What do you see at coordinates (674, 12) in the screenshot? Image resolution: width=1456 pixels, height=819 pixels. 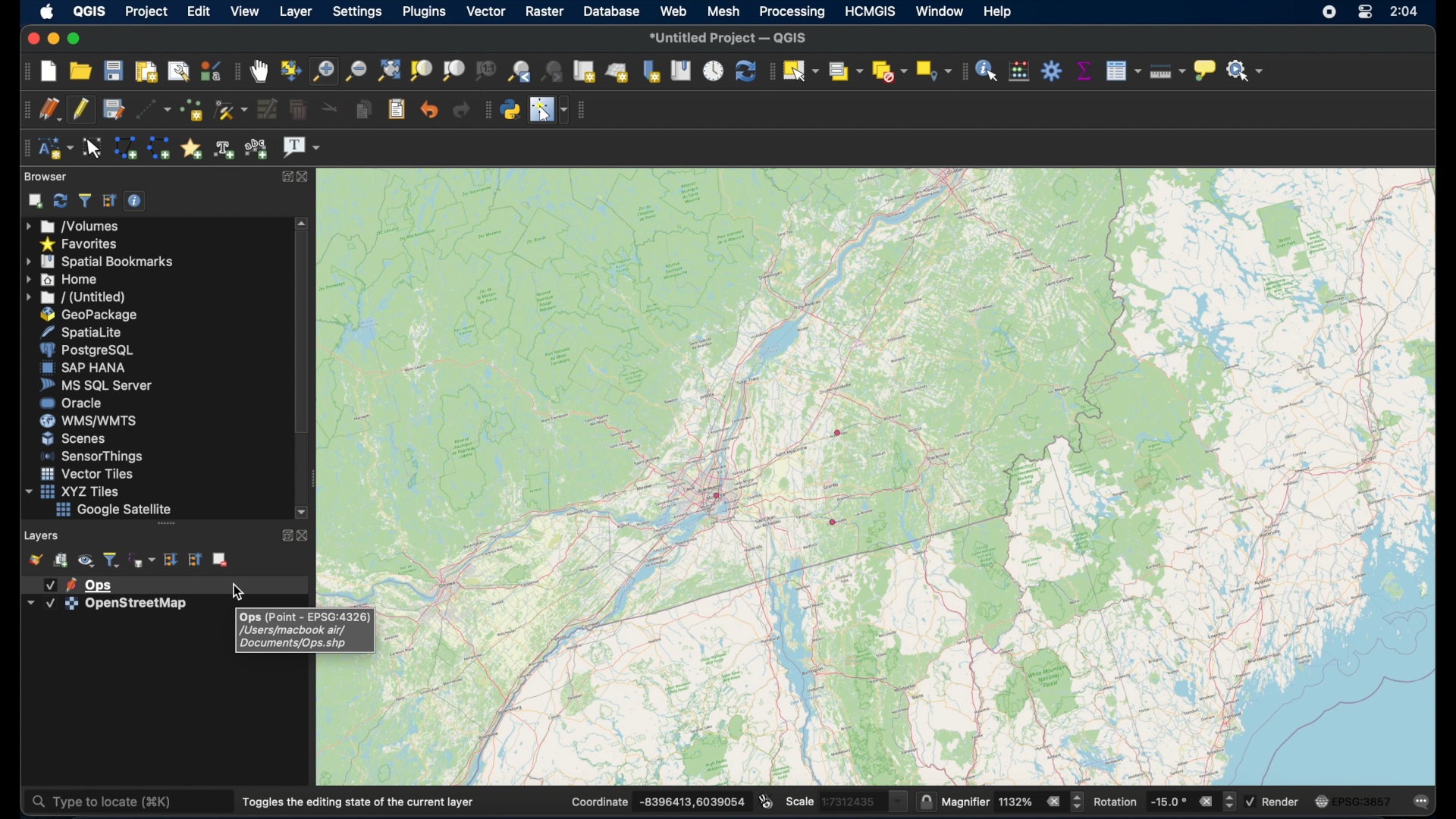 I see `web` at bounding box center [674, 12].